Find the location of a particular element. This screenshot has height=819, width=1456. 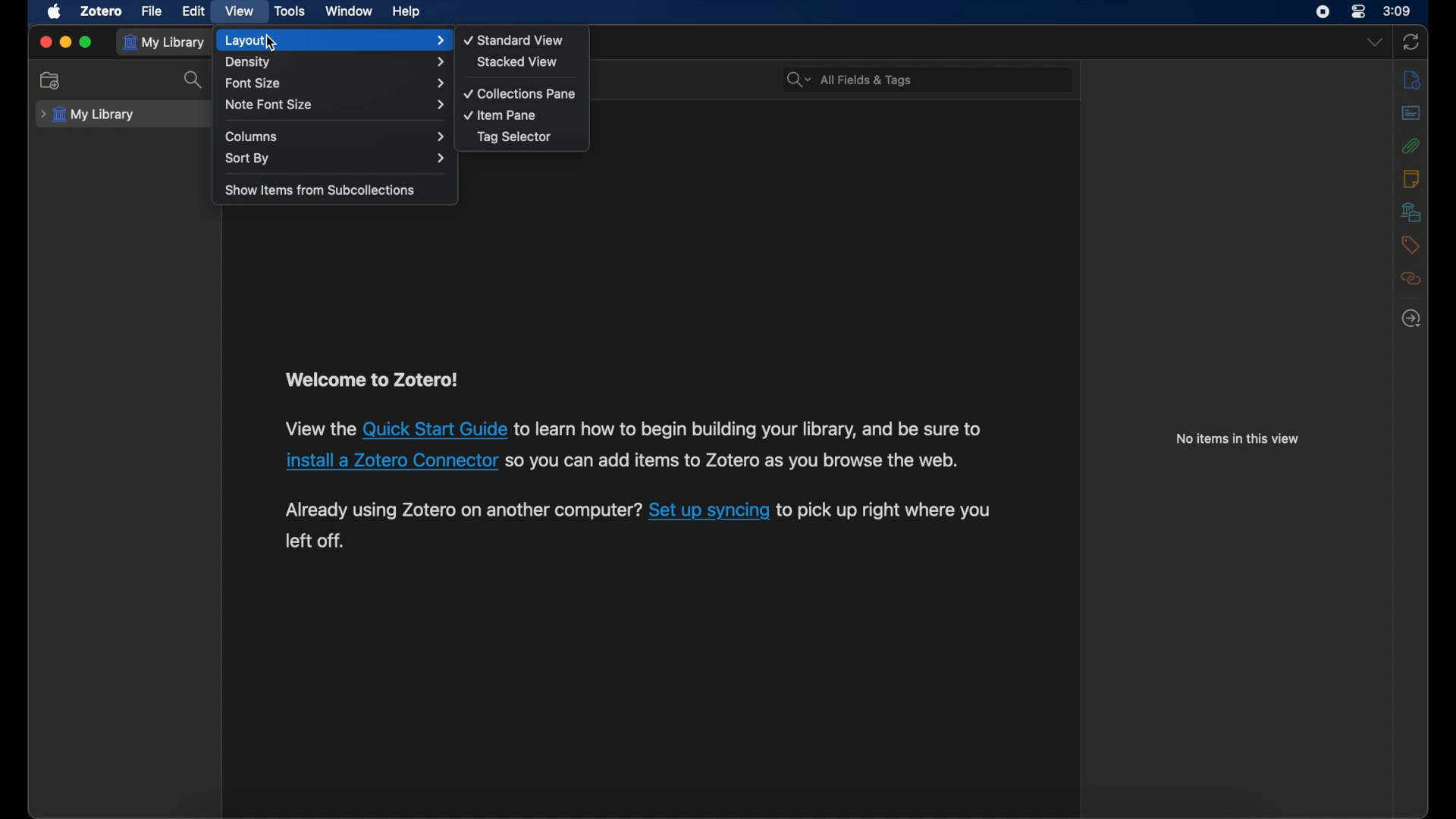

show items from sub collections is located at coordinates (322, 191).